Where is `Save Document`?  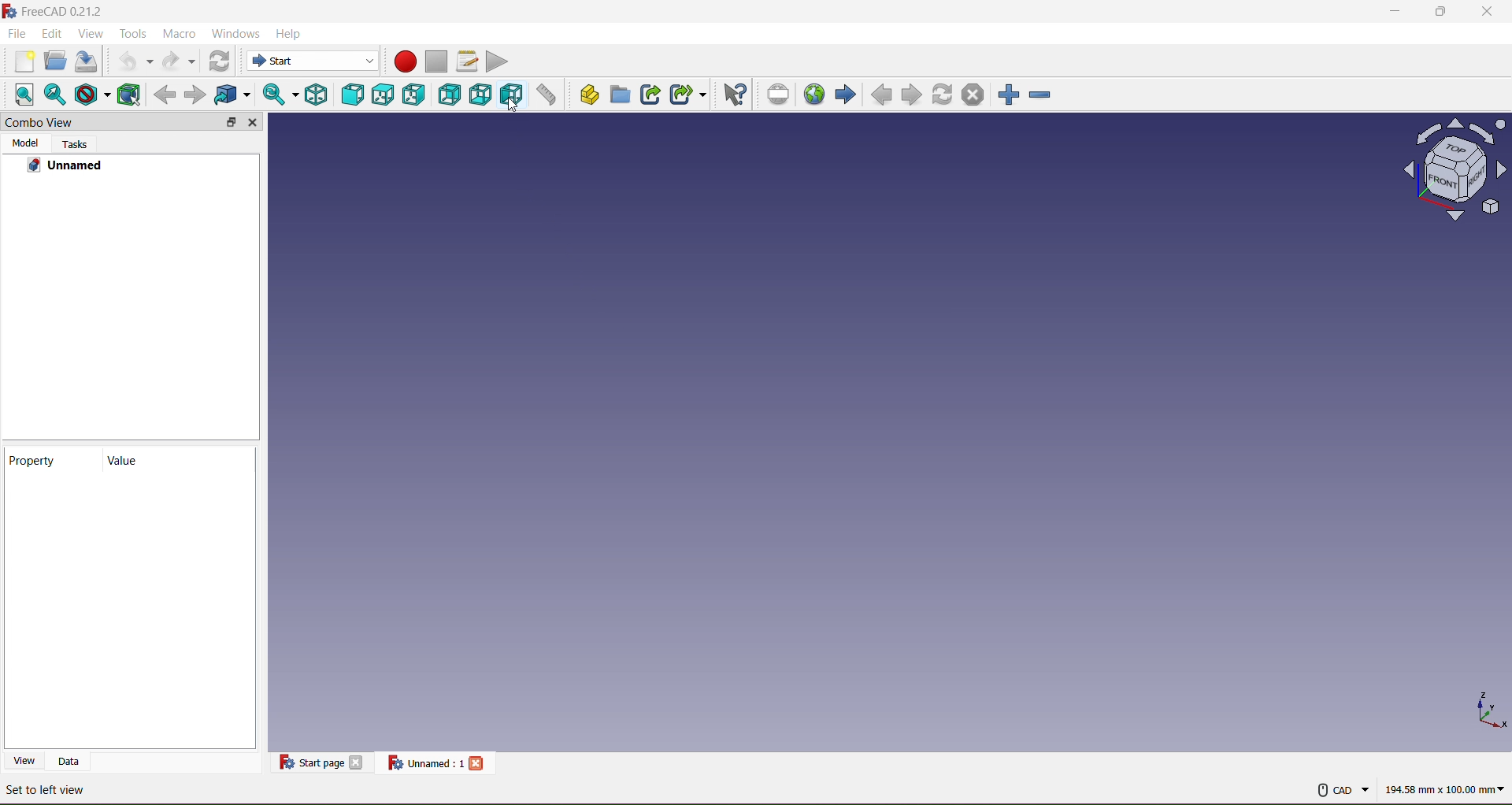 Save Document is located at coordinates (87, 62).